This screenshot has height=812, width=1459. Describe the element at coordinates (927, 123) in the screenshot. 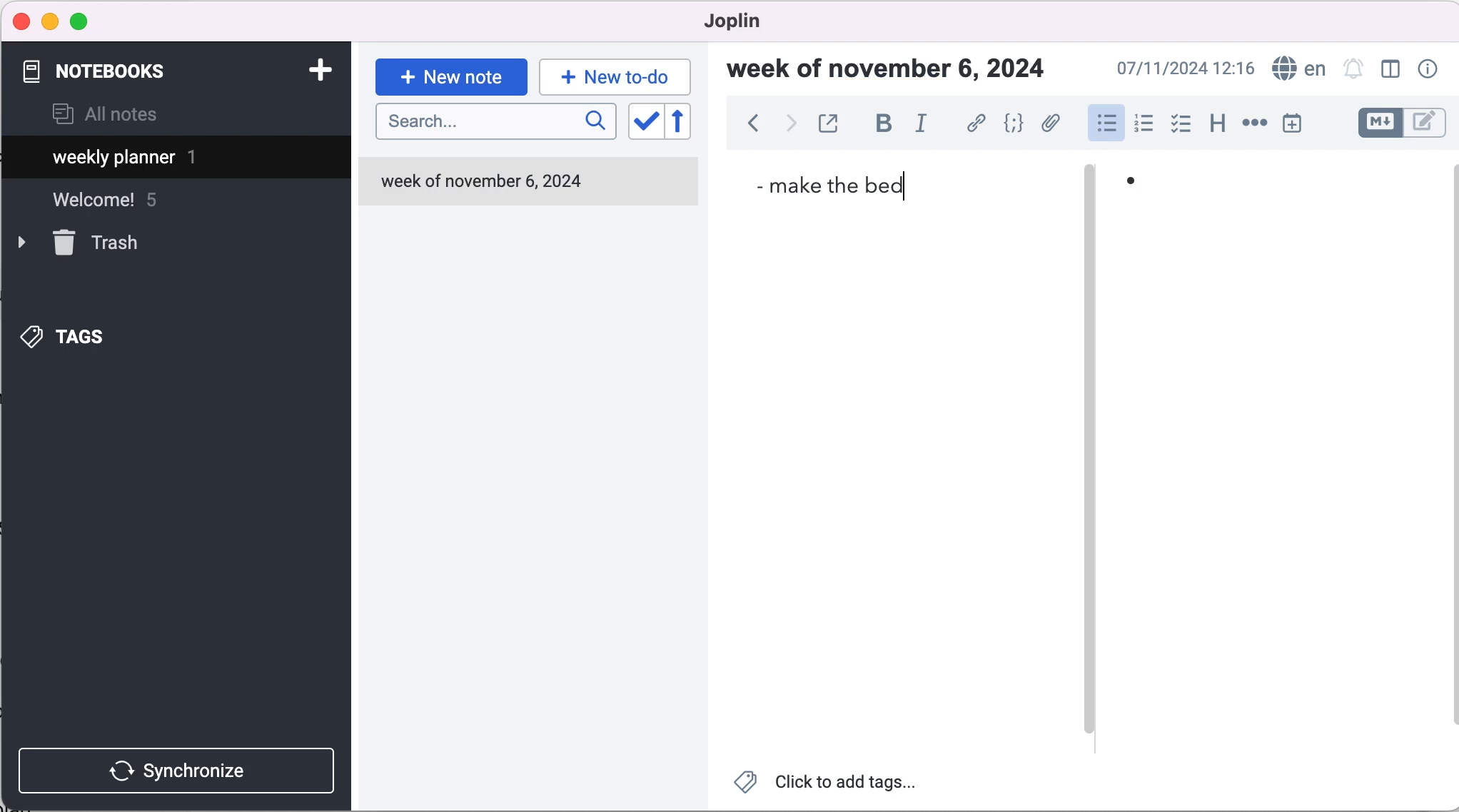

I see `italic` at that location.